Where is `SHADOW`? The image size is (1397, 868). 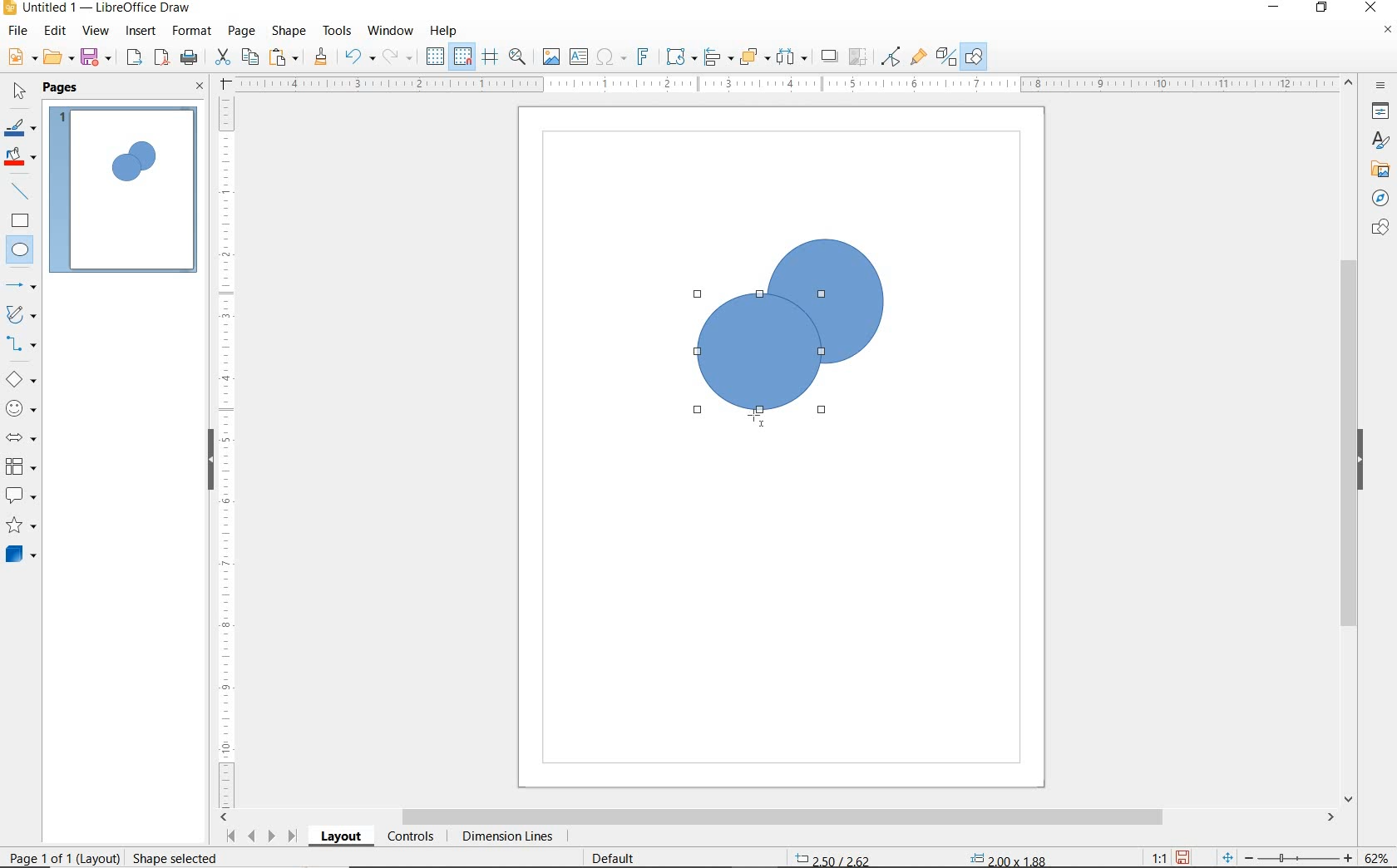
SHADOW is located at coordinates (830, 58).